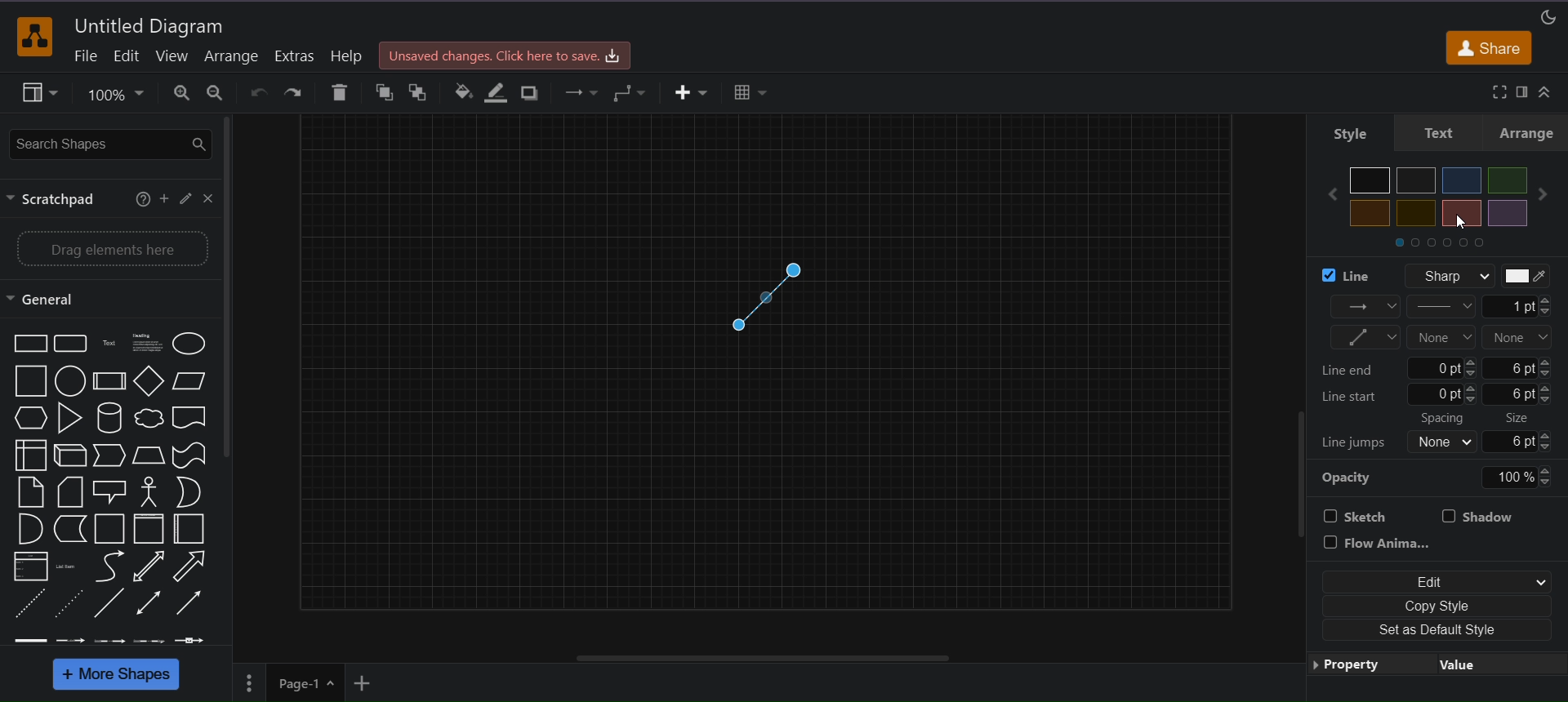 The height and width of the screenshot is (702, 1568). What do you see at coordinates (165, 199) in the screenshot?
I see `add` at bounding box center [165, 199].